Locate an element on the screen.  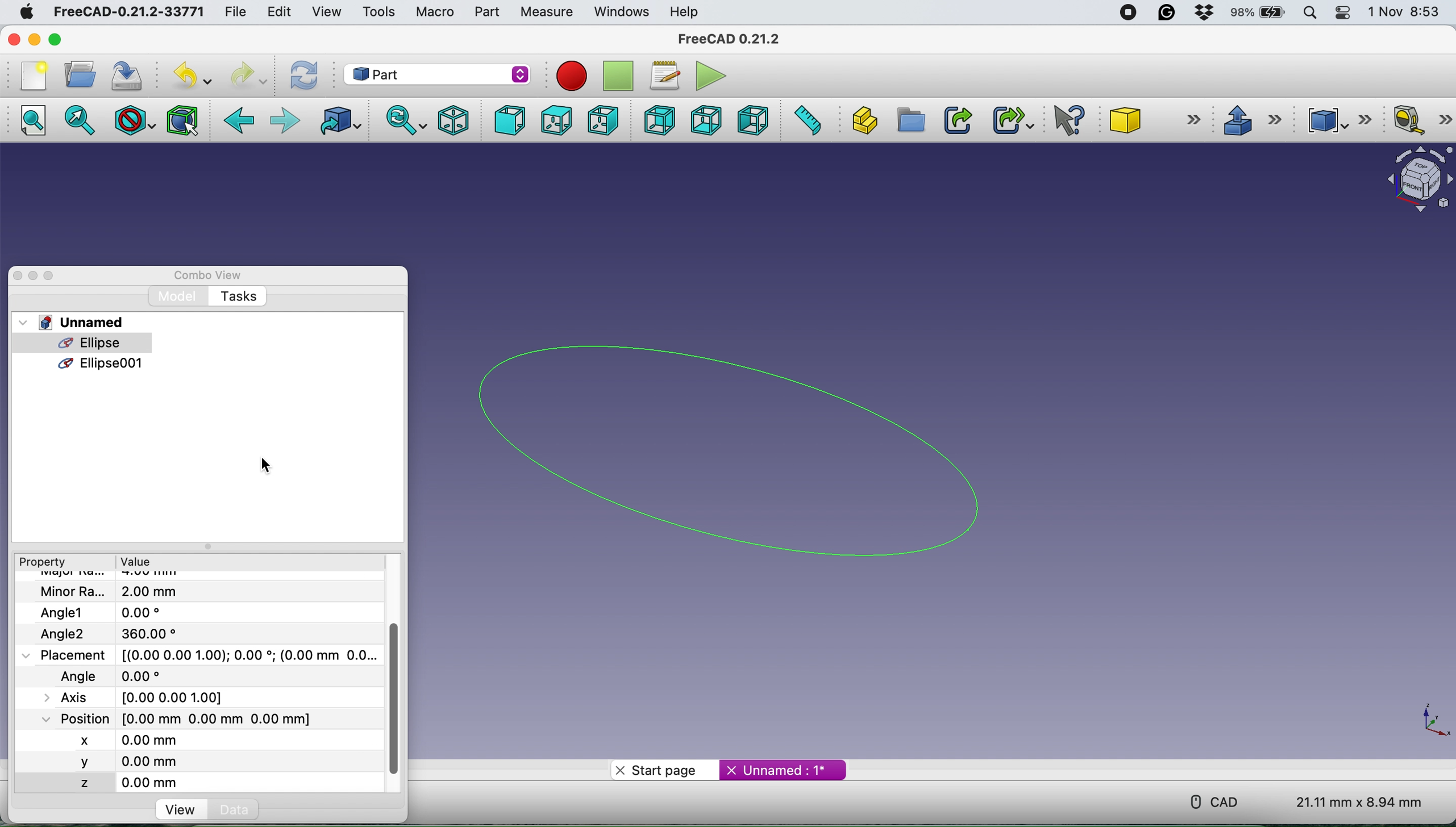
new is located at coordinates (34, 76).